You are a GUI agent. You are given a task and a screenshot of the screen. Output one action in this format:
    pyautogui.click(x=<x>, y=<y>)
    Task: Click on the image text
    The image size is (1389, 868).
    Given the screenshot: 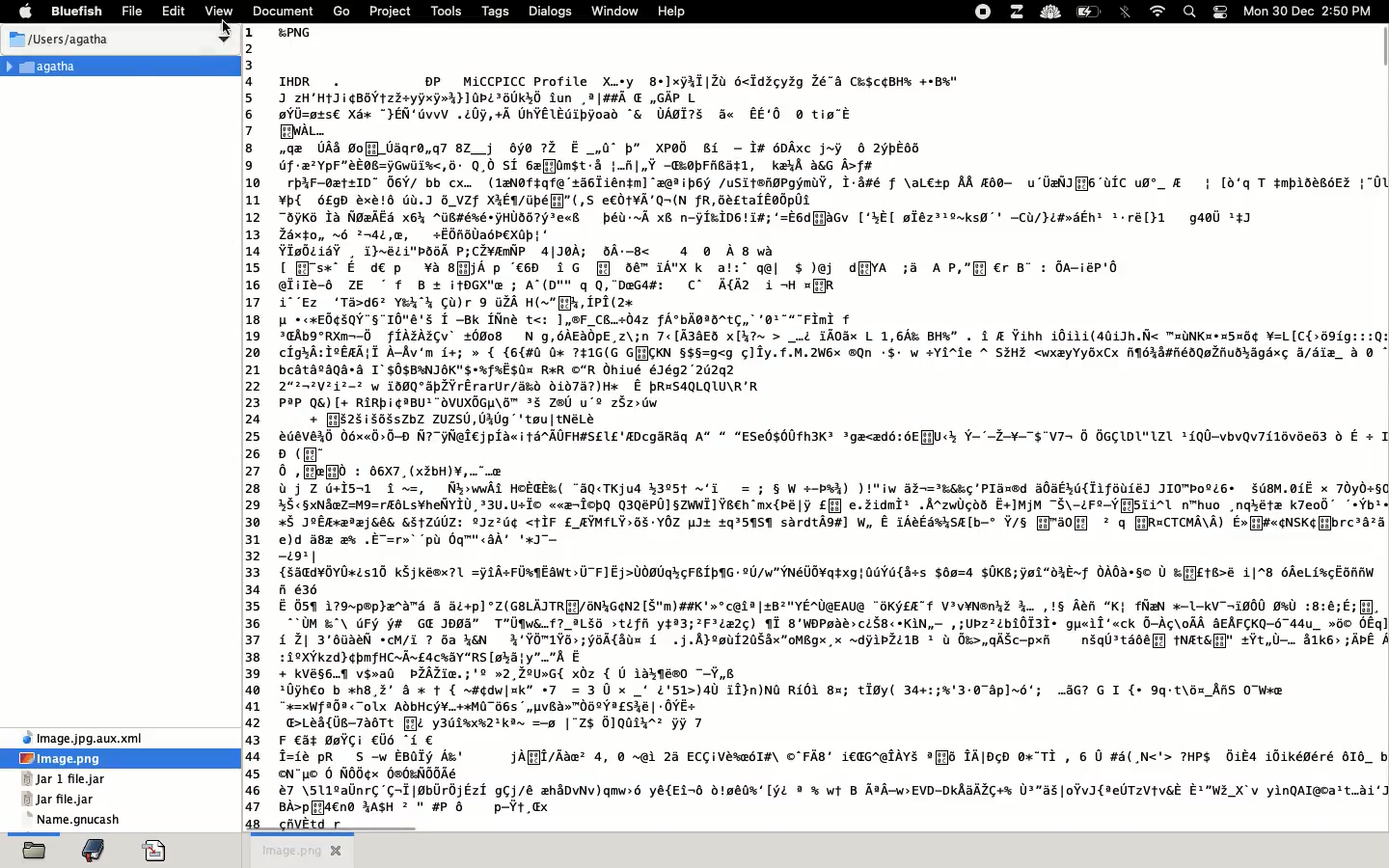 What is the action you would take?
    pyautogui.click(x=828, y=426)
    